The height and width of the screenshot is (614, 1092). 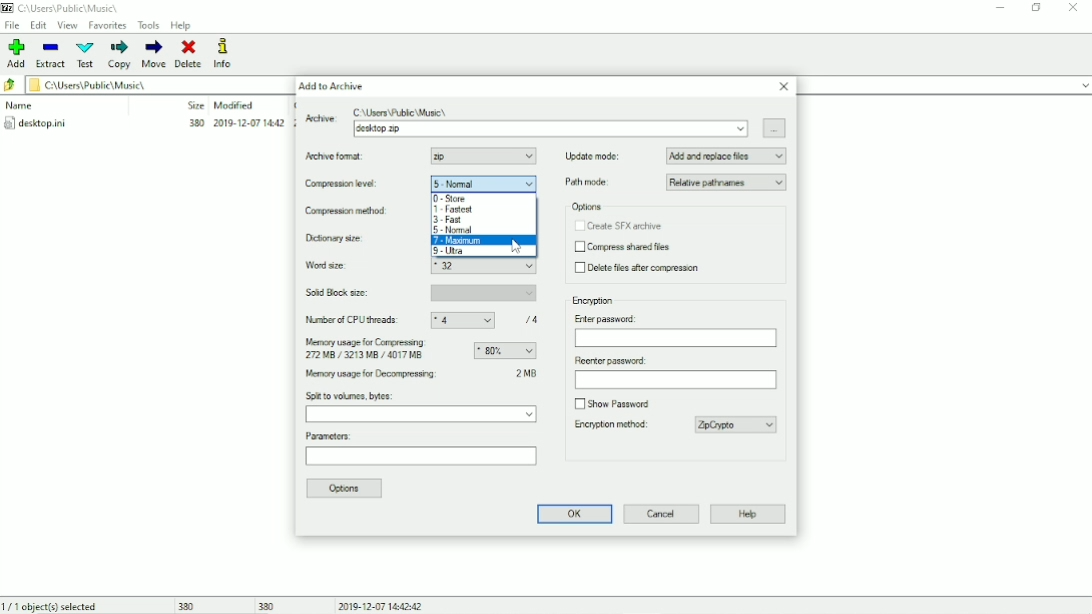 I want to click on Modified, so click(x=235, y=105).